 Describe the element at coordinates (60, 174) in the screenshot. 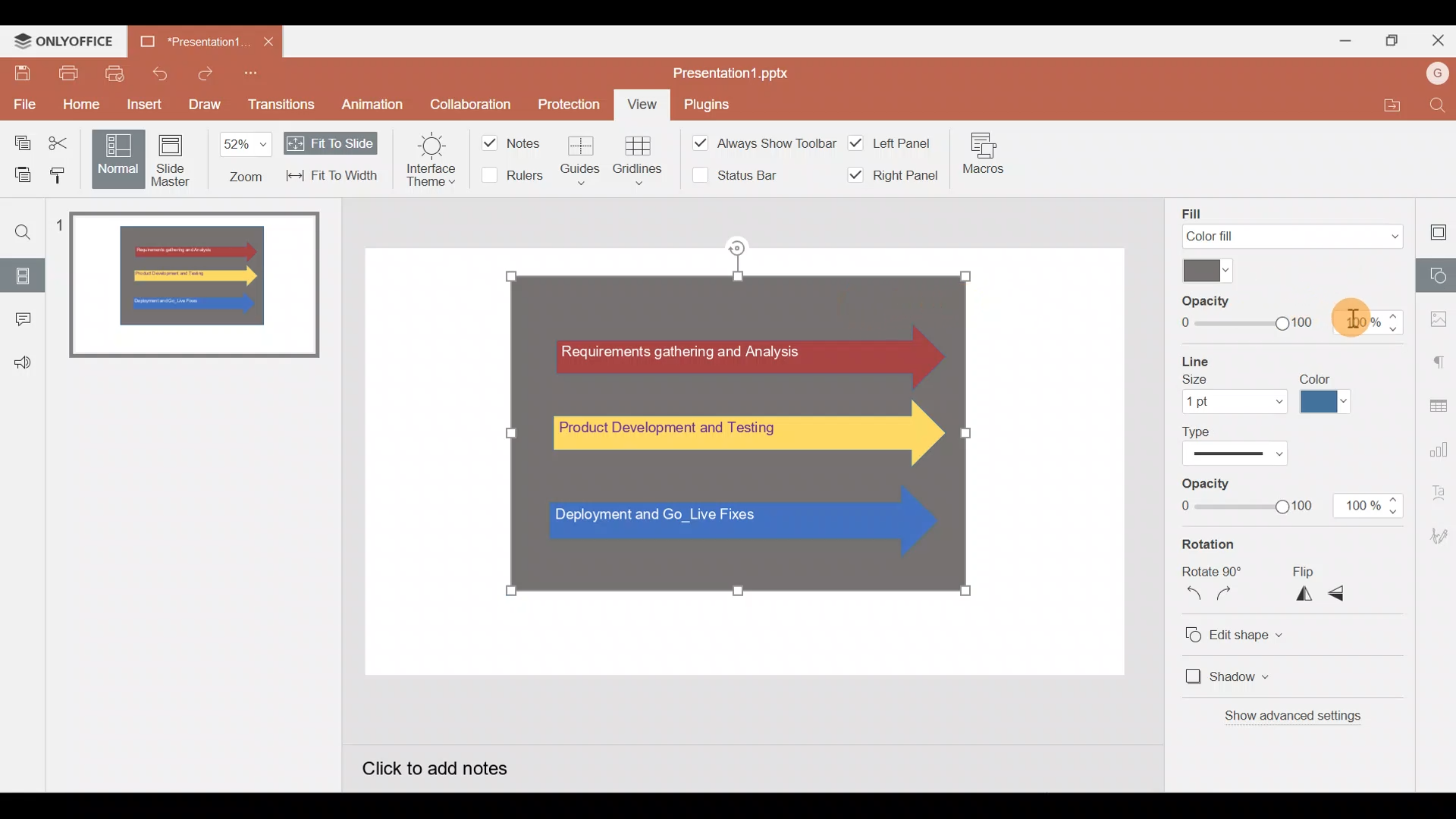

I see `Copy style` at that location.